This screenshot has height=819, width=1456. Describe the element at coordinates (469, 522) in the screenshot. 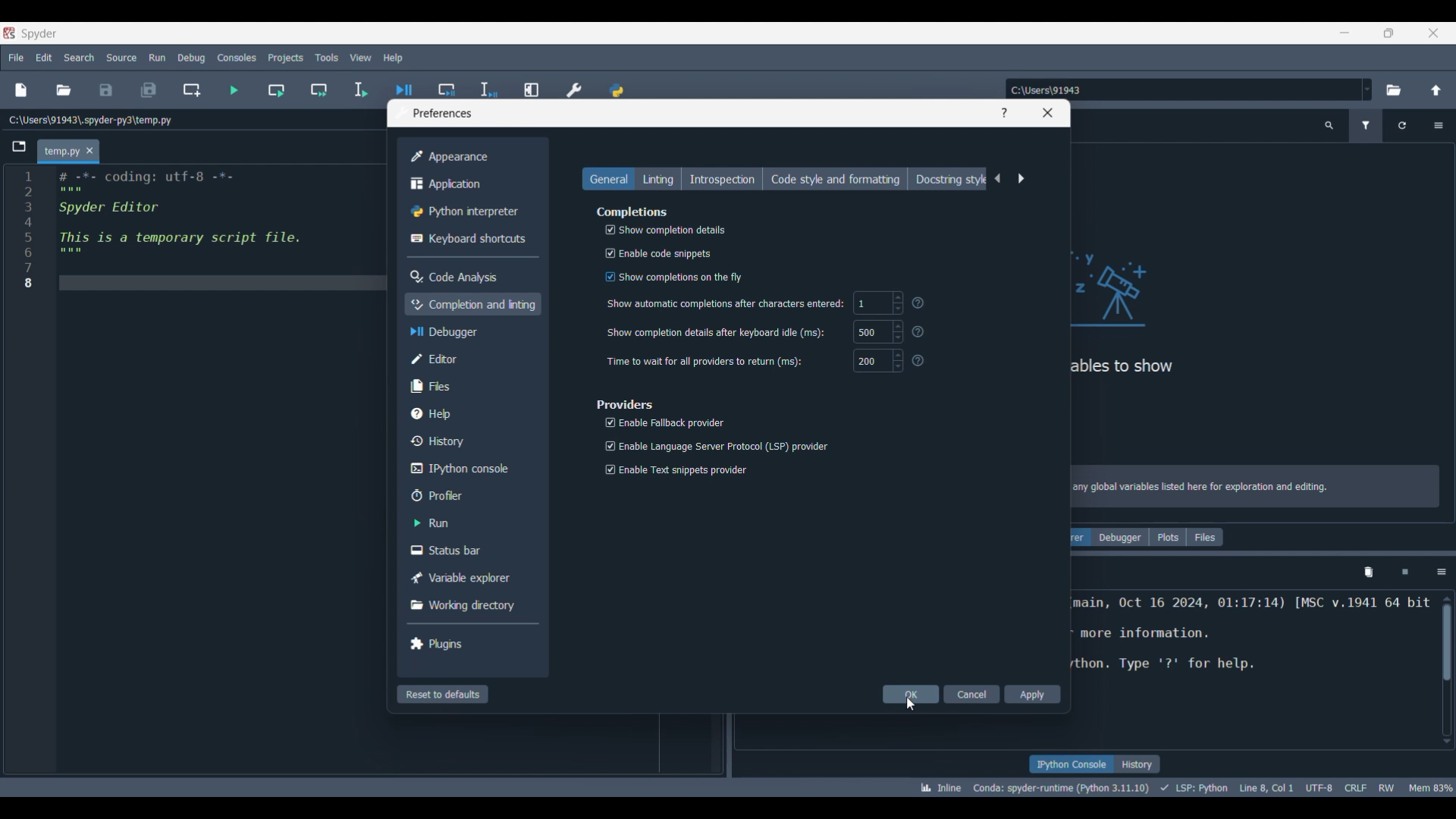

I see `Run` at that location.